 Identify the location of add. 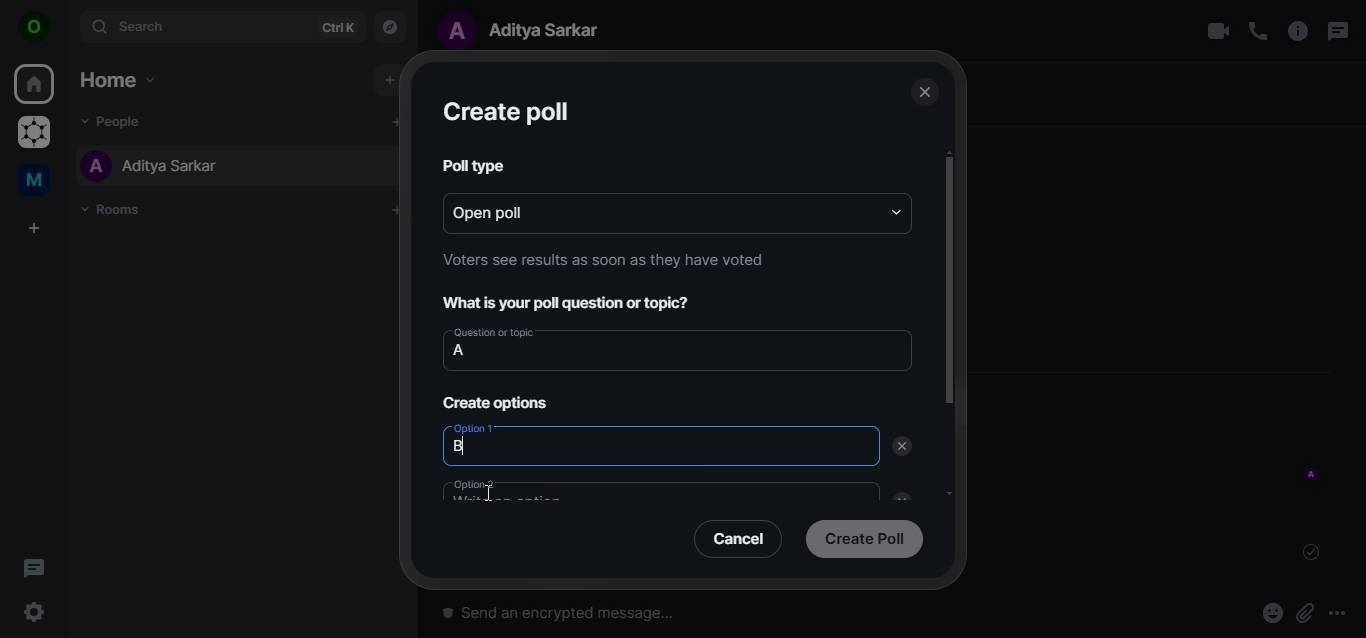
(394, 121).